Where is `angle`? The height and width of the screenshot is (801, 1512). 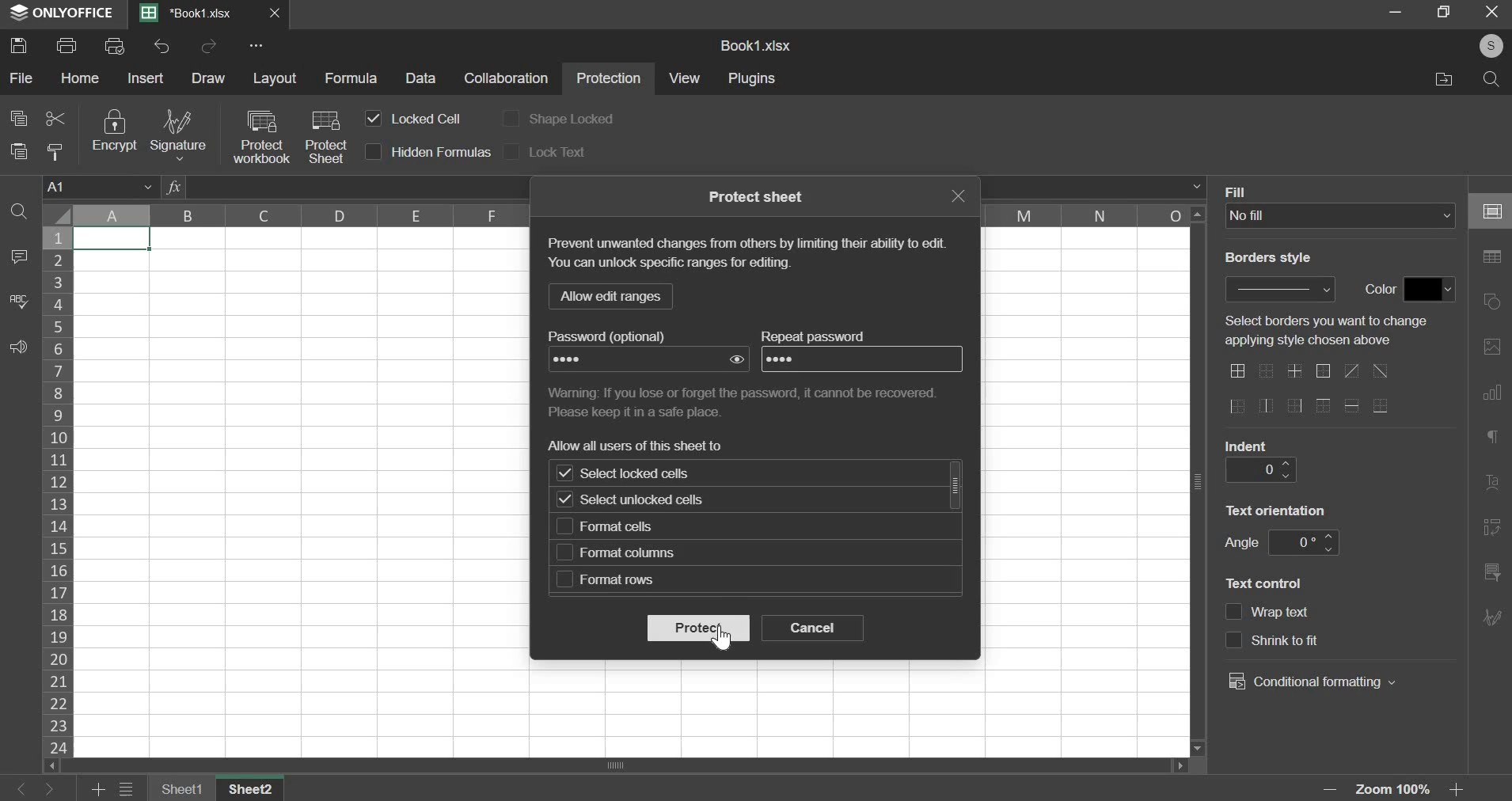 angle is located at coordinates (1240, 542).